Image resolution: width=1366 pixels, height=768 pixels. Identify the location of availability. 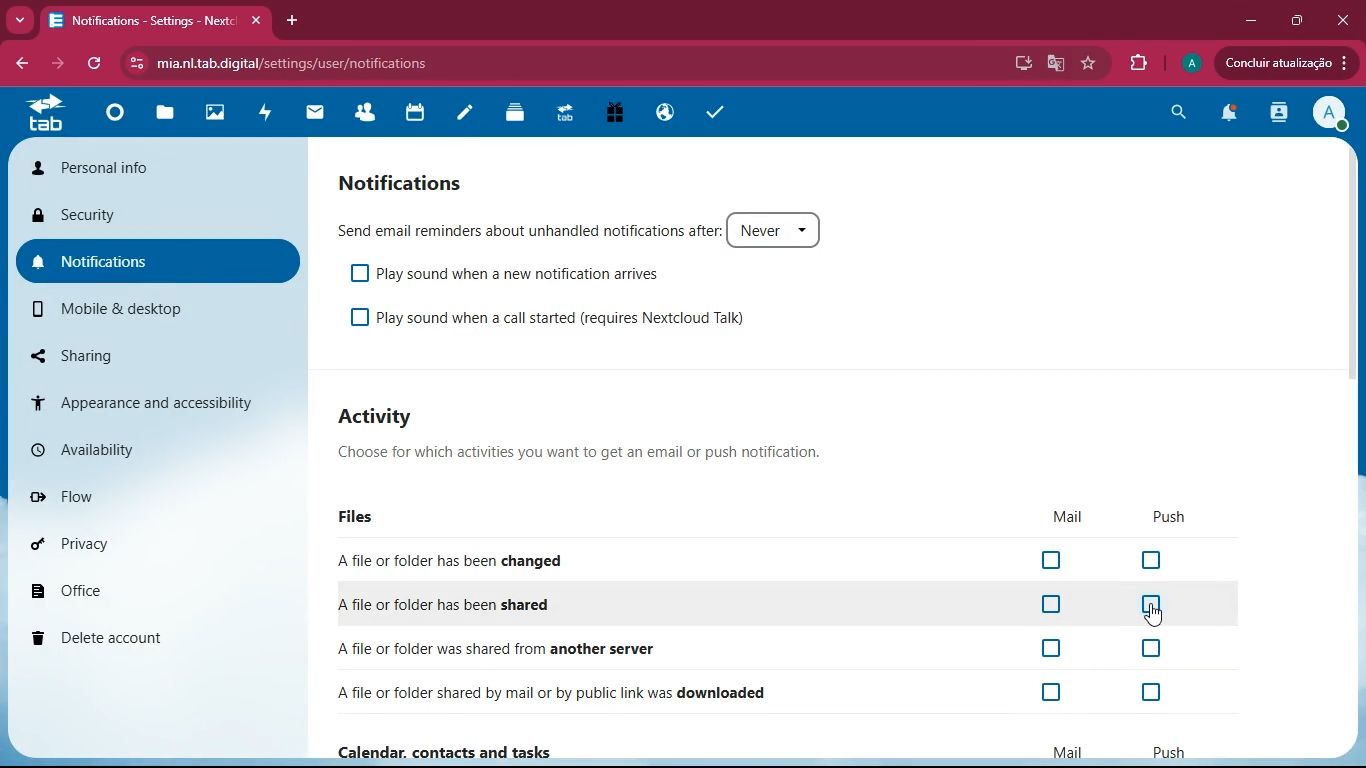
(94, 444).